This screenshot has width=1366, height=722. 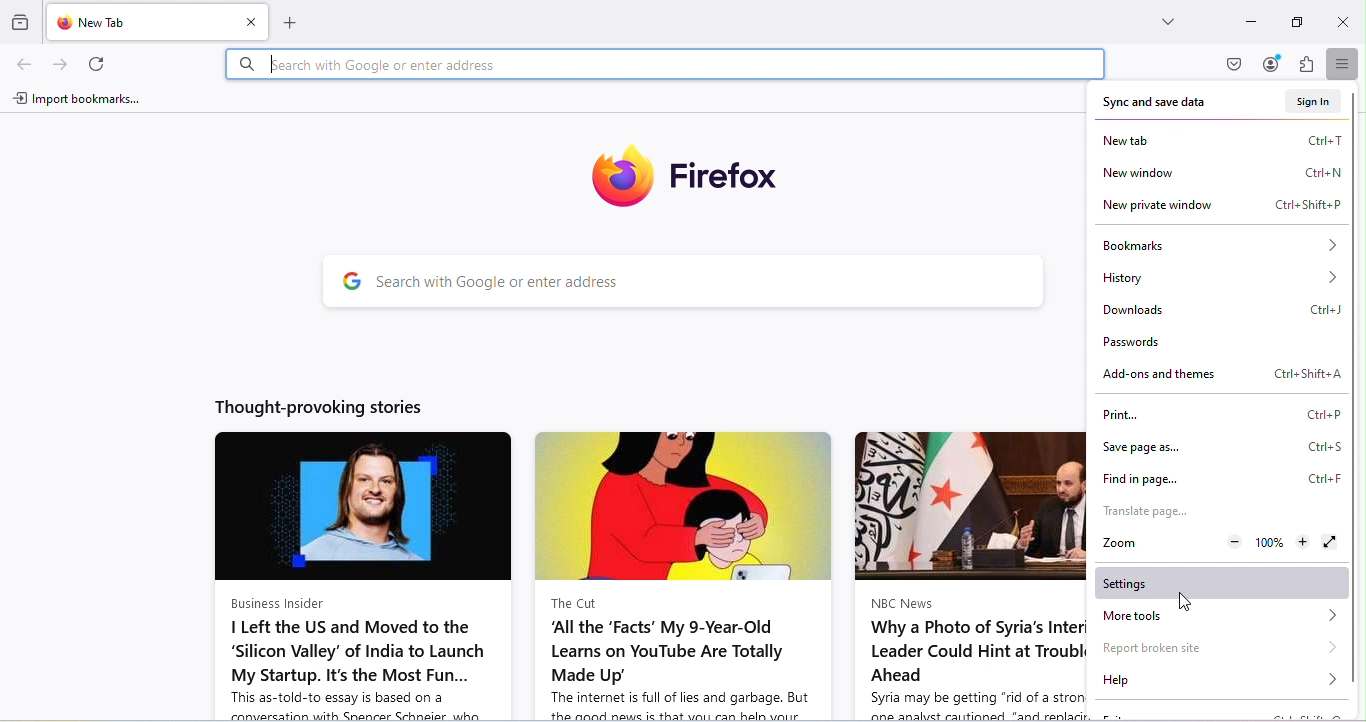 I want to click on Go forward one page, so click(x=64, y=67).